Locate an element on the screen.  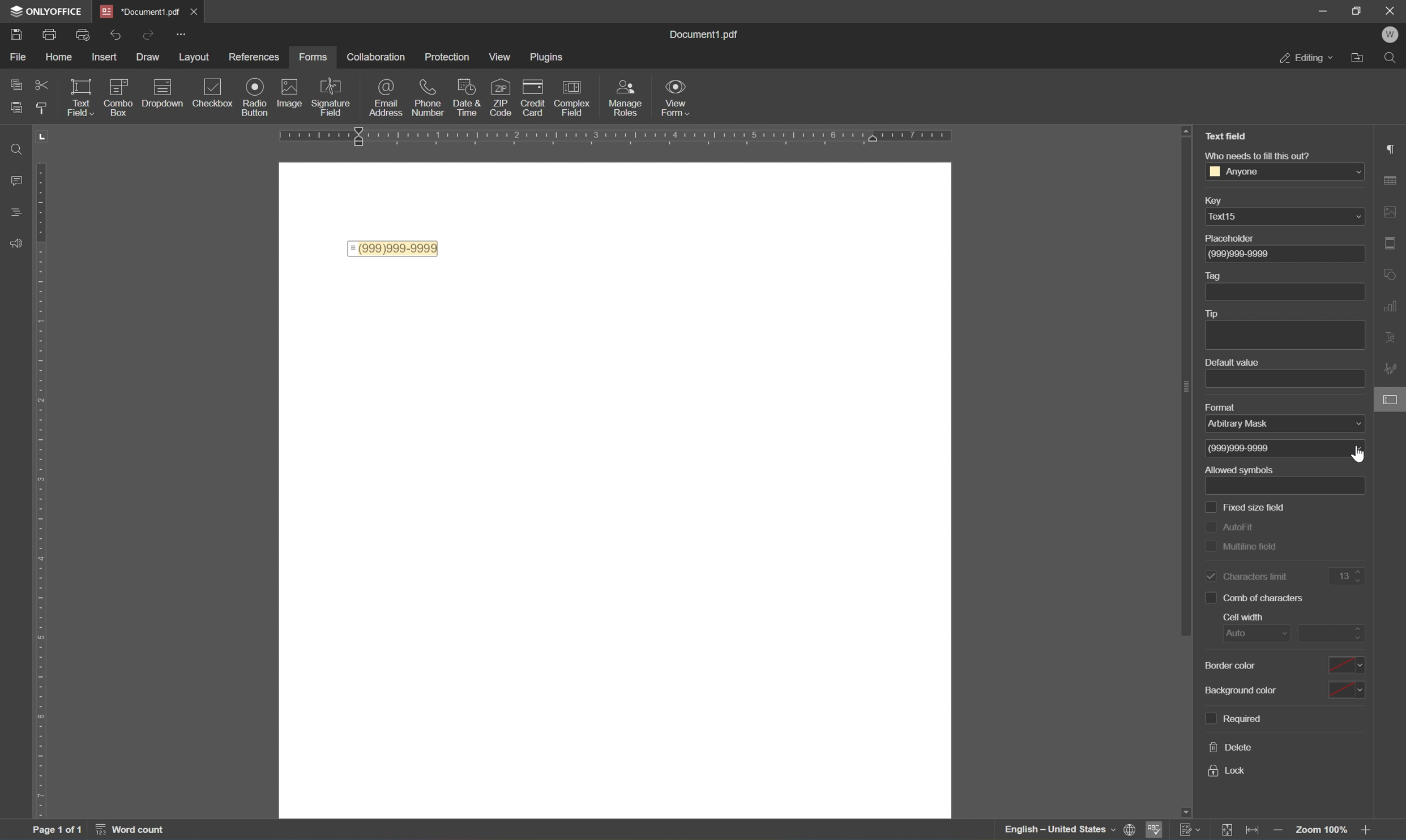
minimize is located at coordinates (1324, 10).